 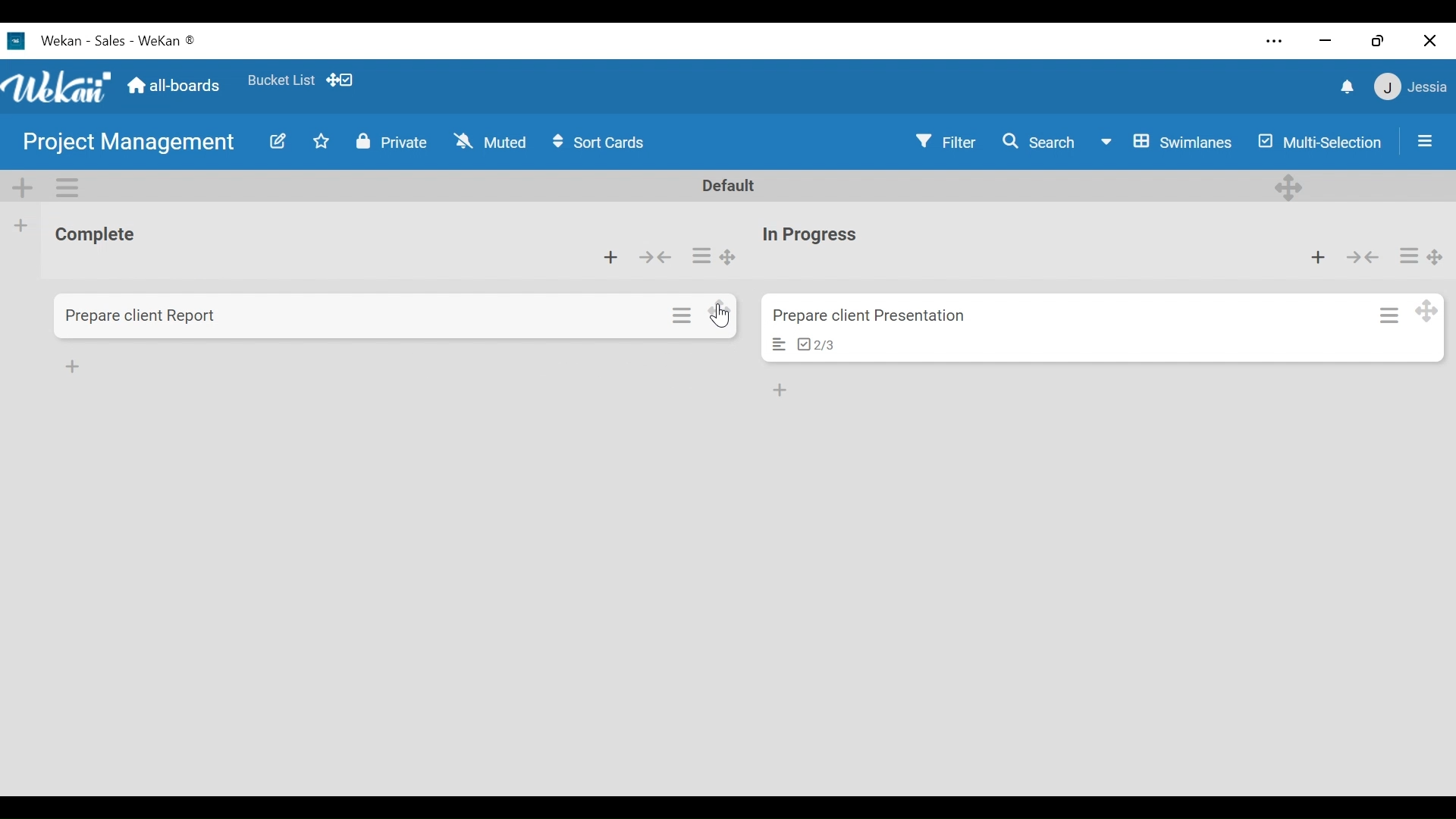 I want to click on jessie, so click(x=1410, y=87).